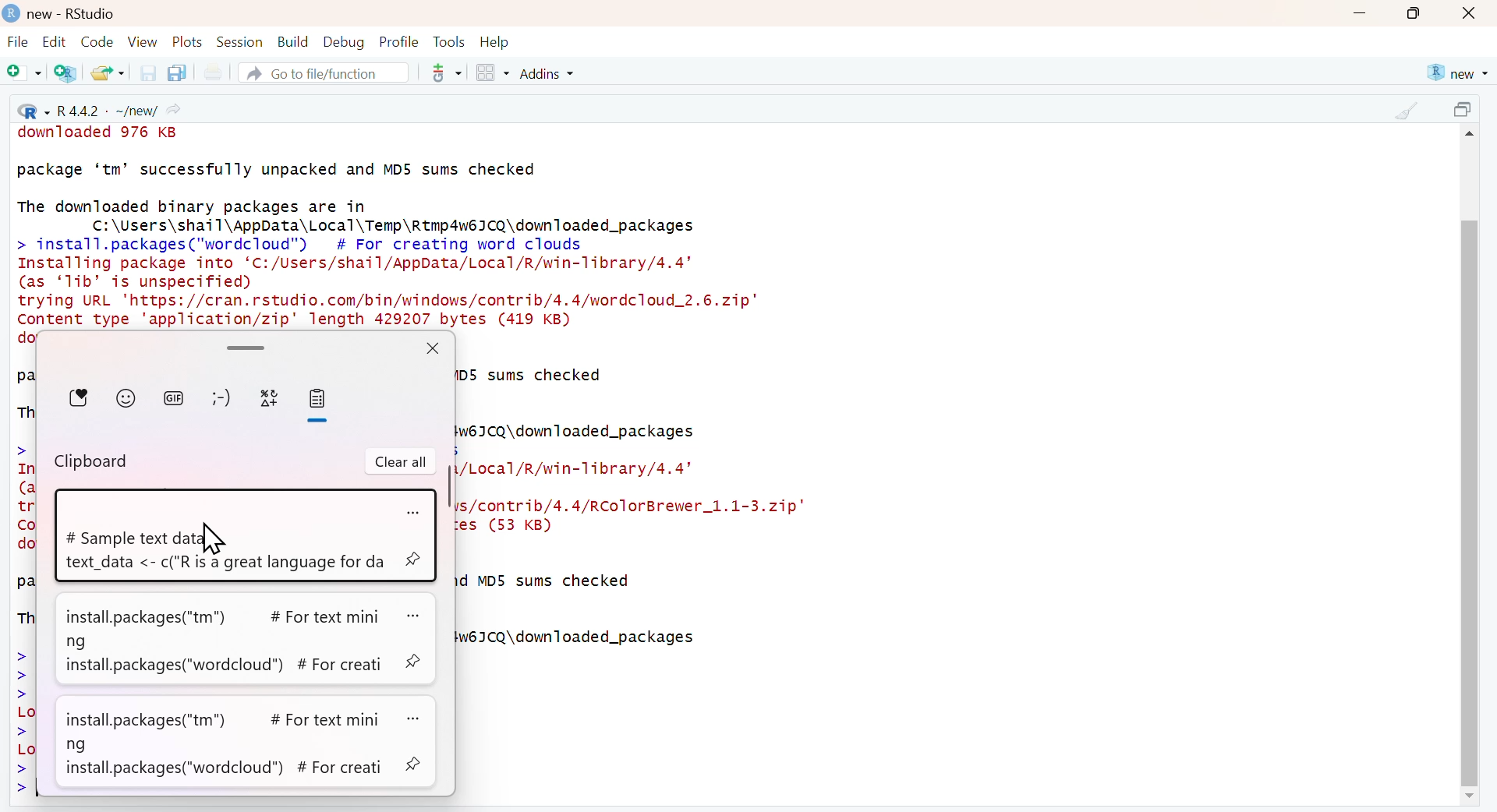 This screenshot has height=812, width=1497. What do you see at coordinates (401, 42) in the screenshot?
I see `Profile` at bounding box center [401, 42].